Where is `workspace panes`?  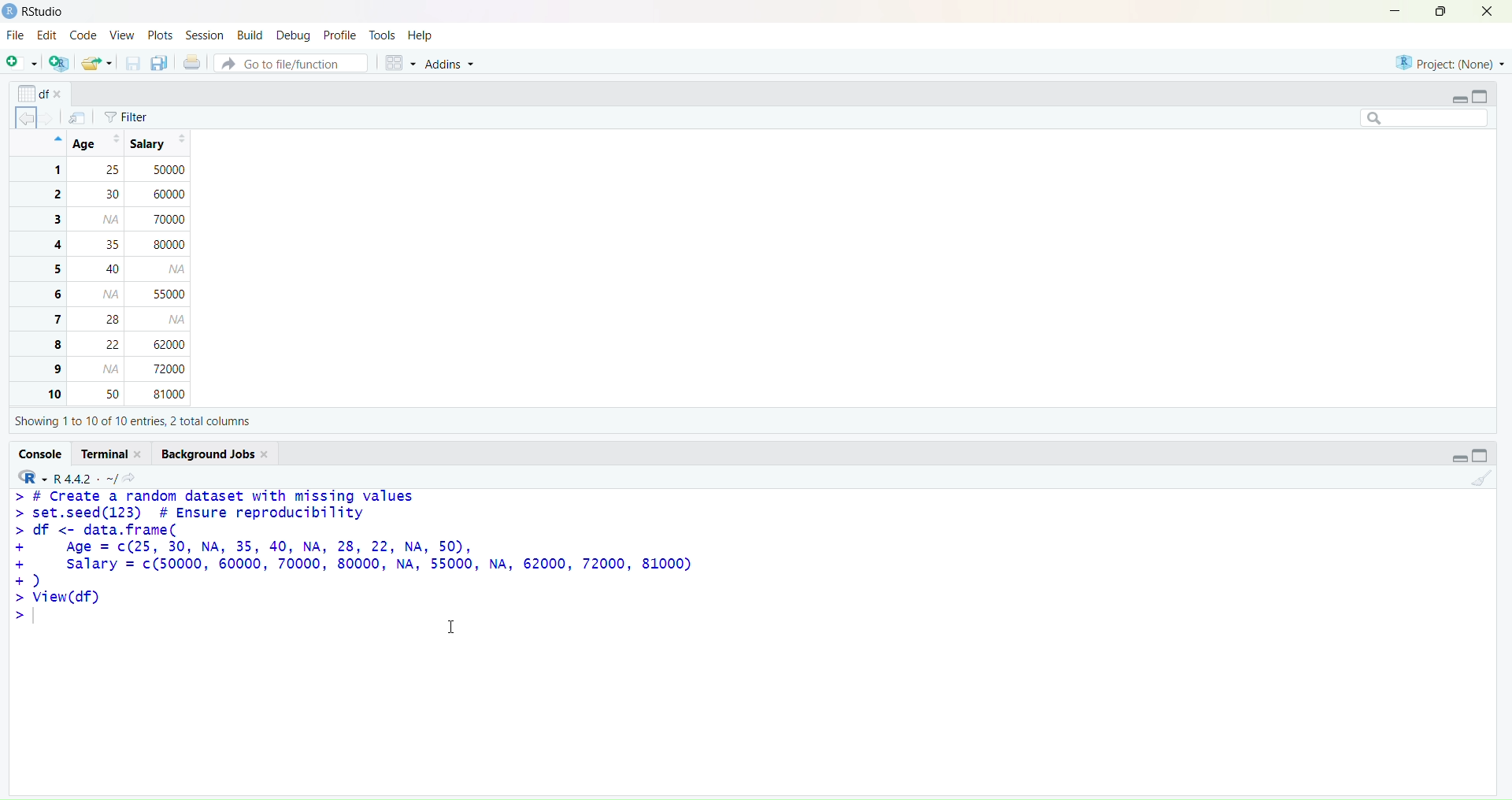 workspace panes is located at coordinates (401, 65).